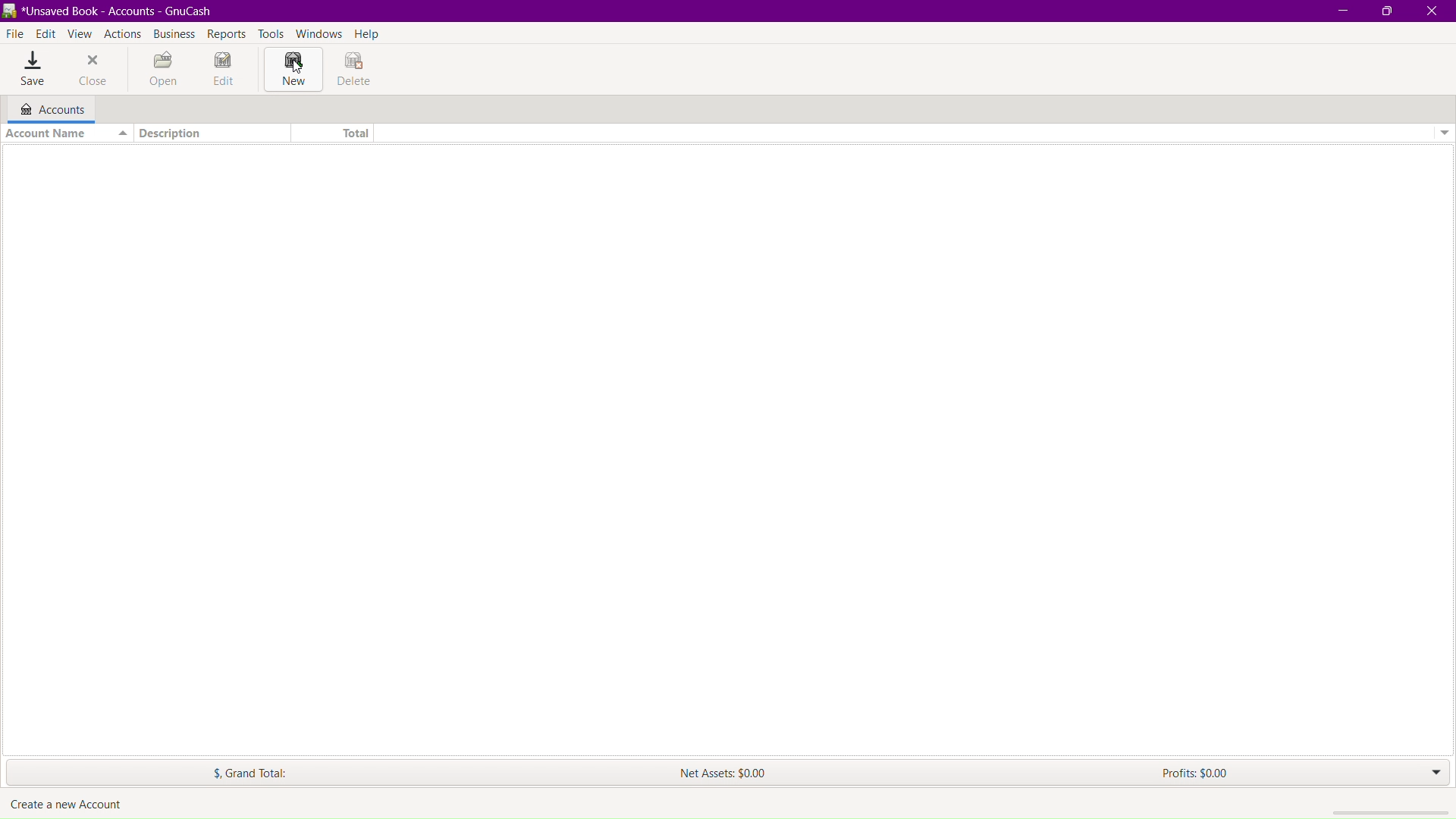 This screenshot has width=1456, height=819. Describe the element at coordinates (47, 32) in the screenshot. I see `Edit` at that location.